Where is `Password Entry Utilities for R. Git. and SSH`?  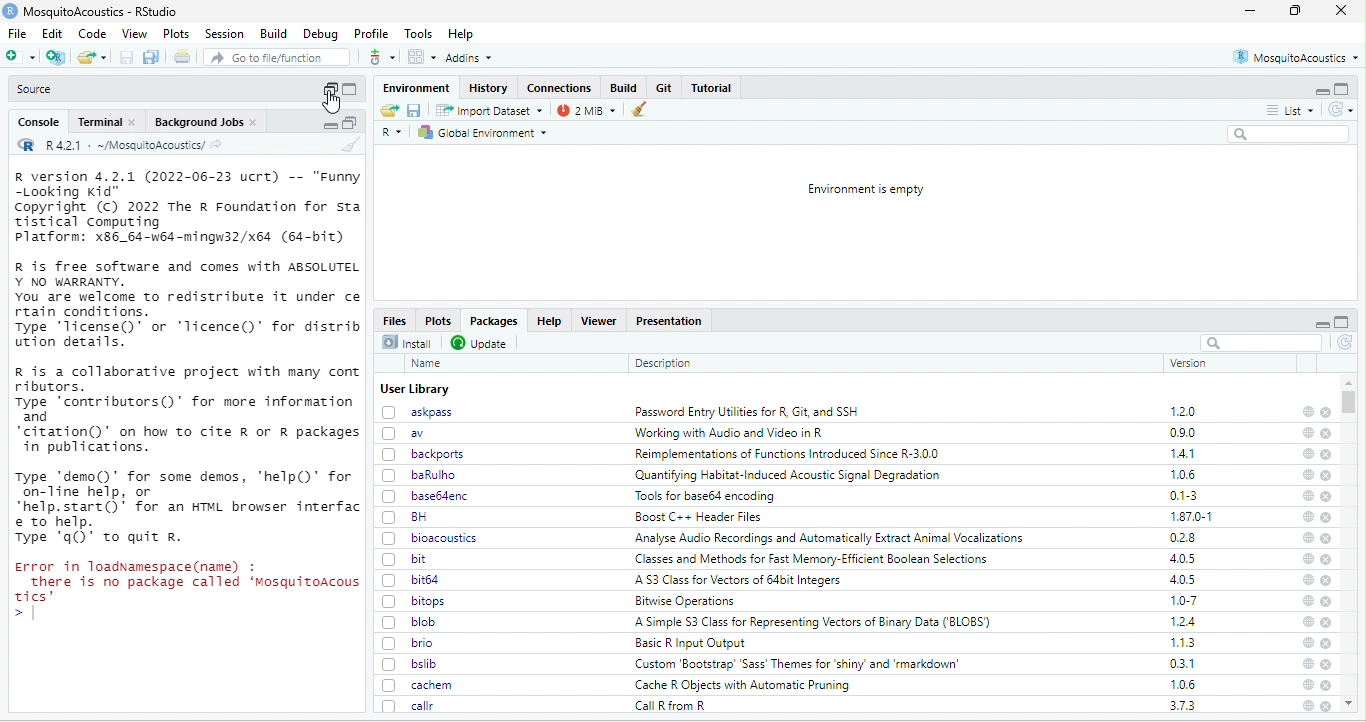
Password Entry Utilities for R. Git. and SSH is located at coordinates (747, 411).